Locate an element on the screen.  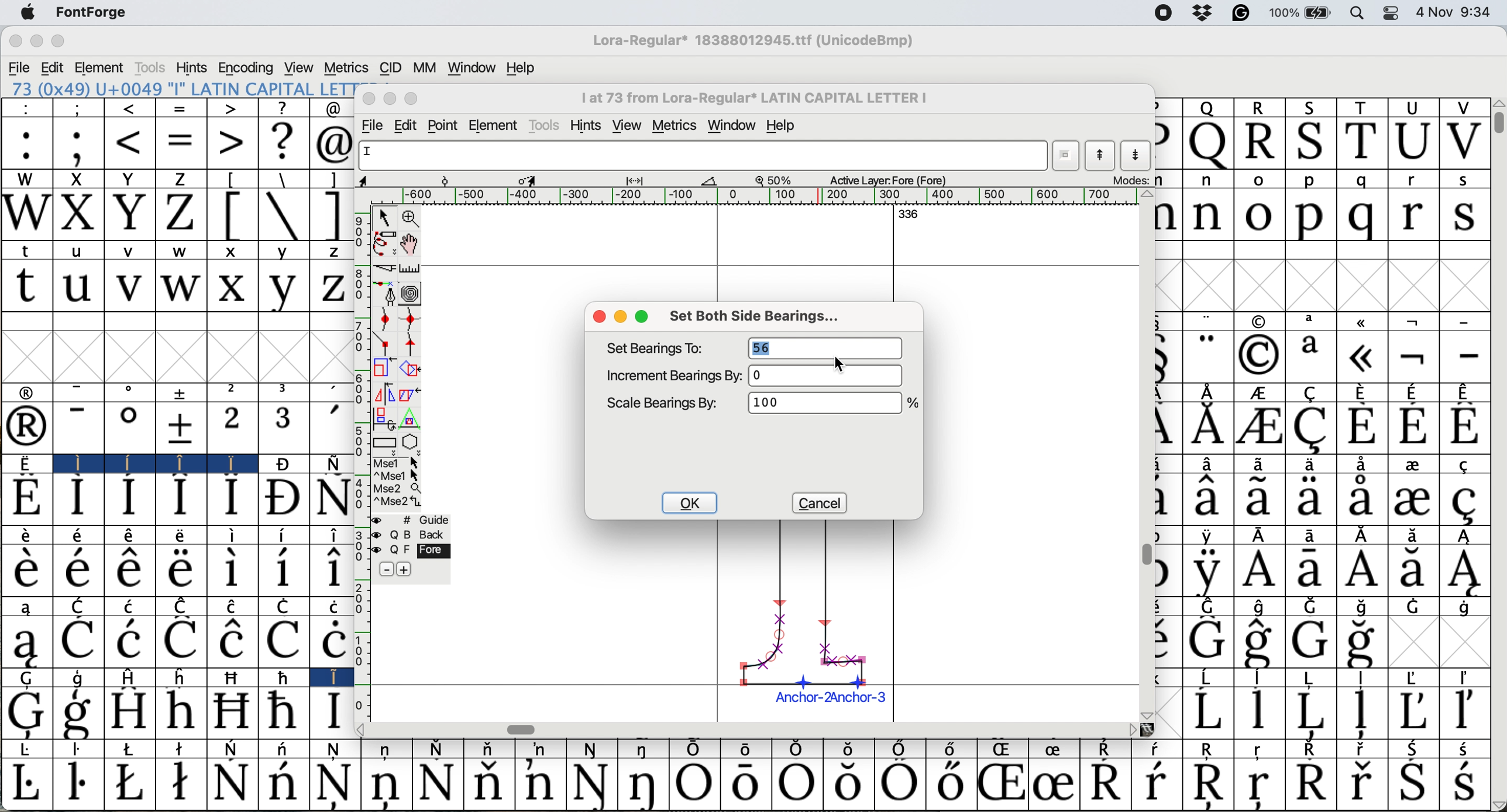
< is located at coordinates (131, 109).